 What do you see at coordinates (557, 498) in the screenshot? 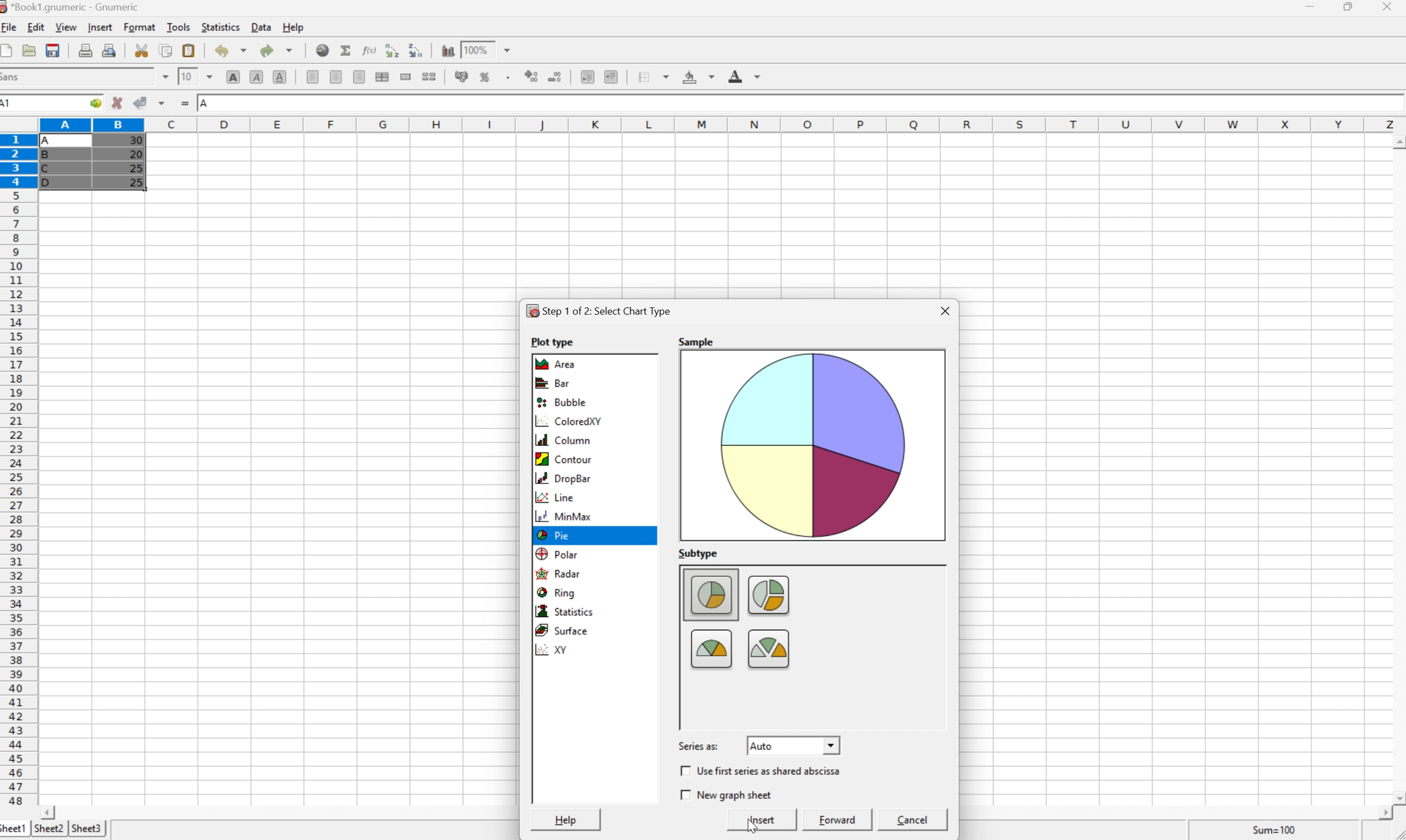
I see `Line` at bounding box center [557, 498].